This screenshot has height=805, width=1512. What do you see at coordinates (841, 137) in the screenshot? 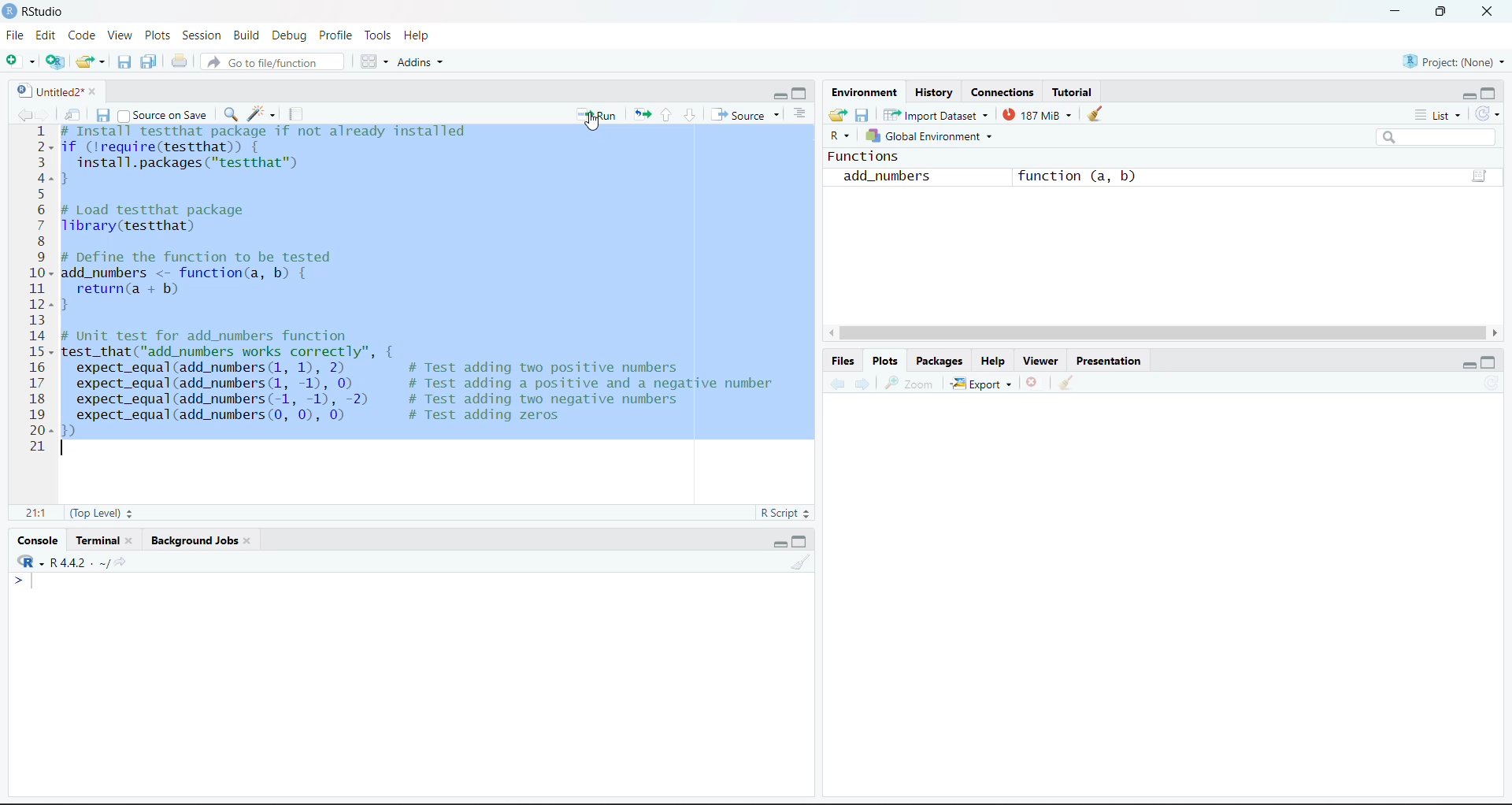
I see `R` at bounding box center [841, 137].